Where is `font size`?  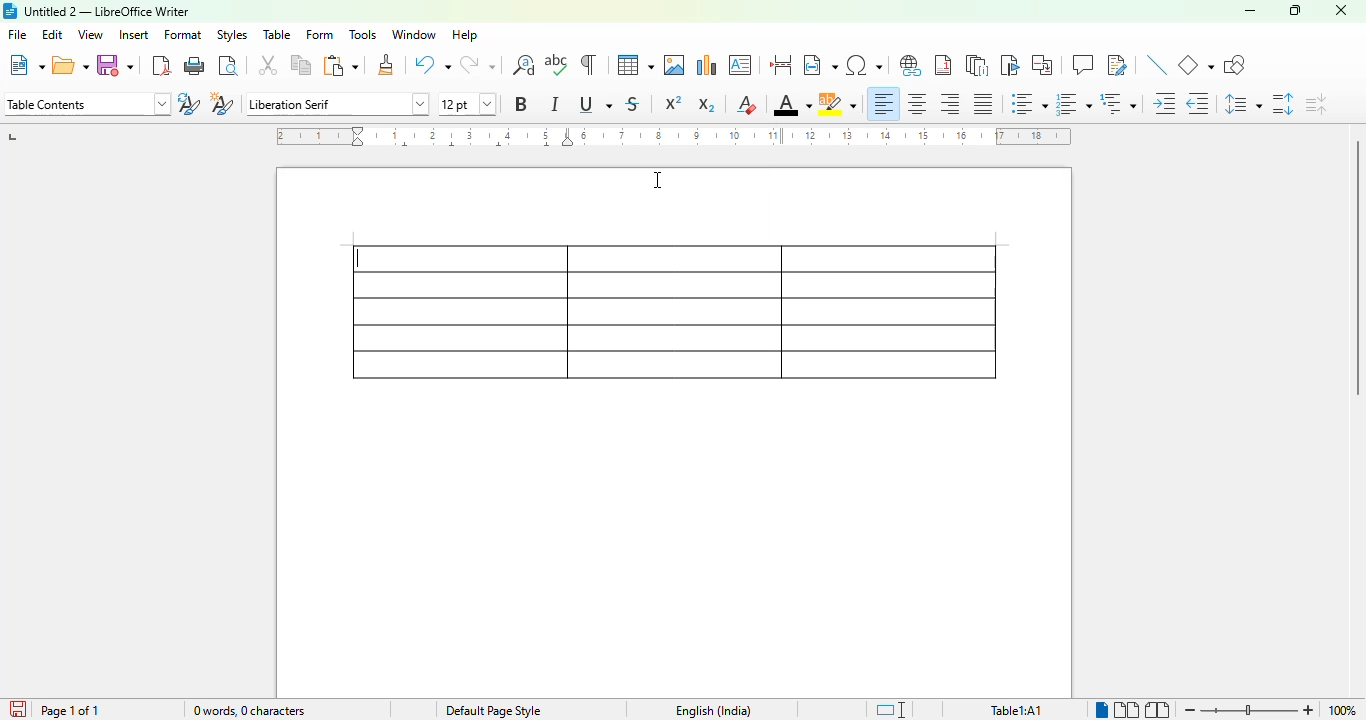 font size is located at coordinates (466, 104).